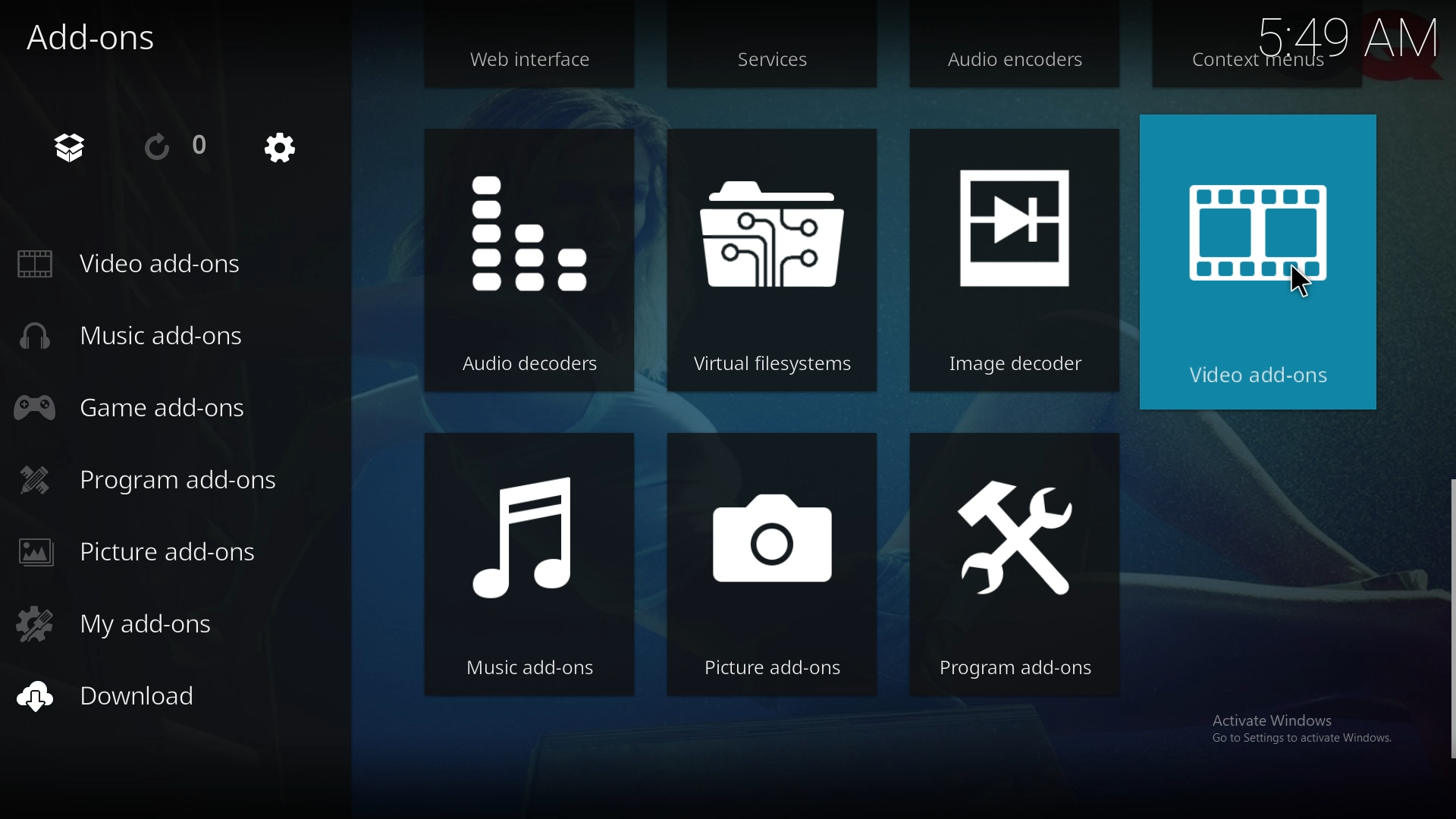  What do you see at coordinates (70, 147) in the screenshot?
I see `add on browser` at bounding box center [70, 147].